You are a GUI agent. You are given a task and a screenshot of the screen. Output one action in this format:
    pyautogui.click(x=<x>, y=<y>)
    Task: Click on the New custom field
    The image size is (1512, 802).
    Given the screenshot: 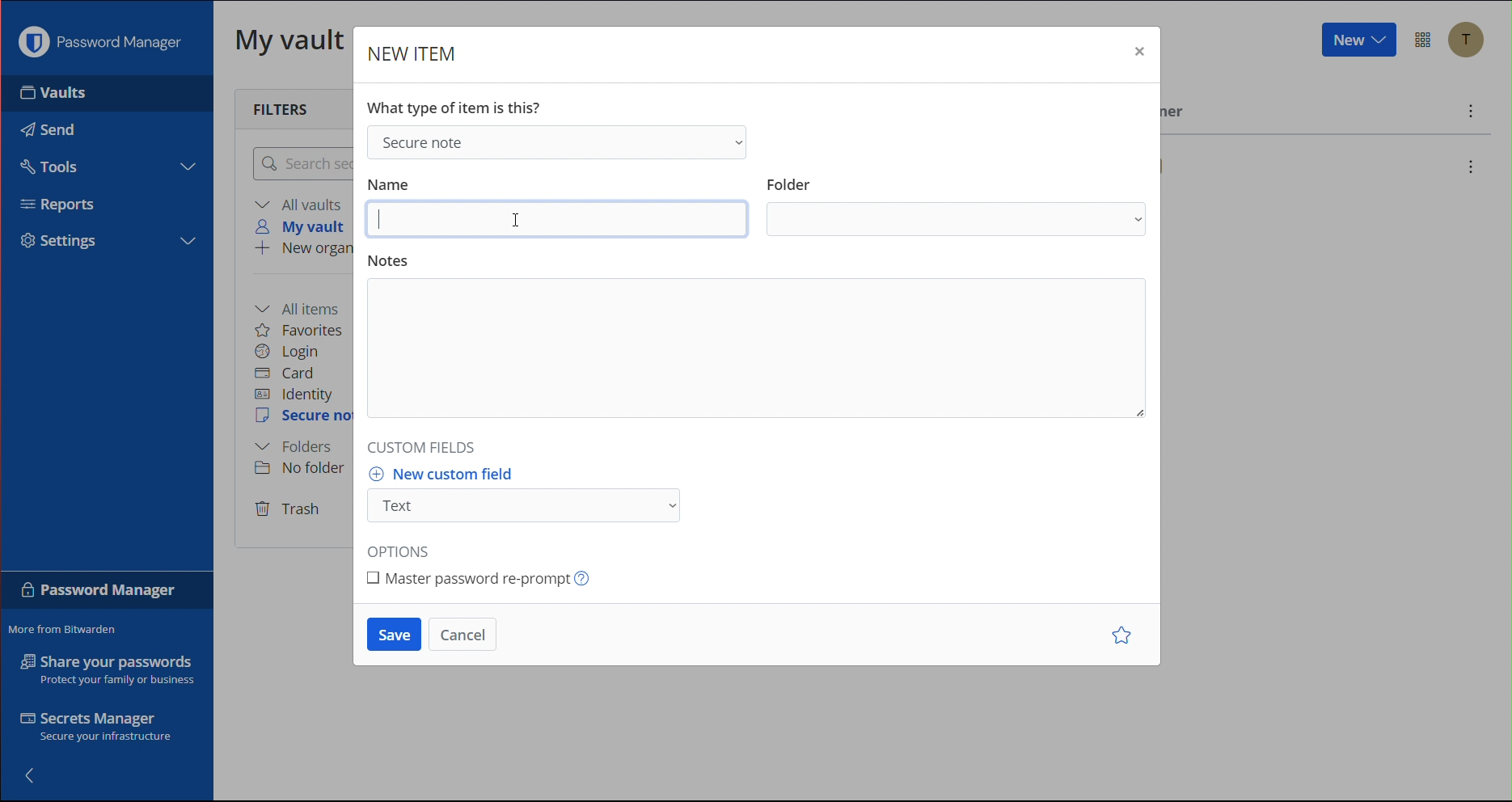 What is the action you would take?
    pyautogui.click(x=450, y=474)
    